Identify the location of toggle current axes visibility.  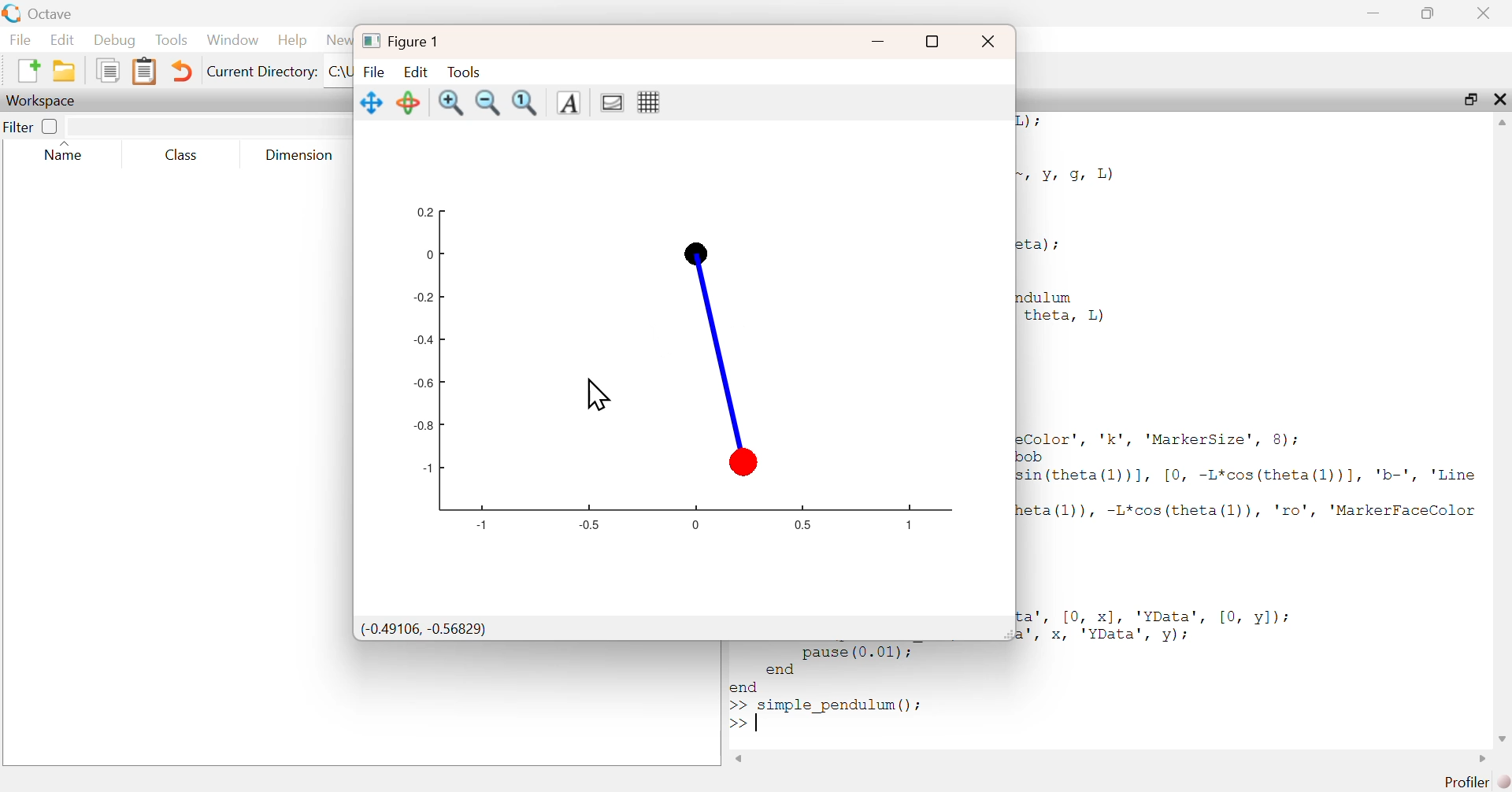
(613, 104).